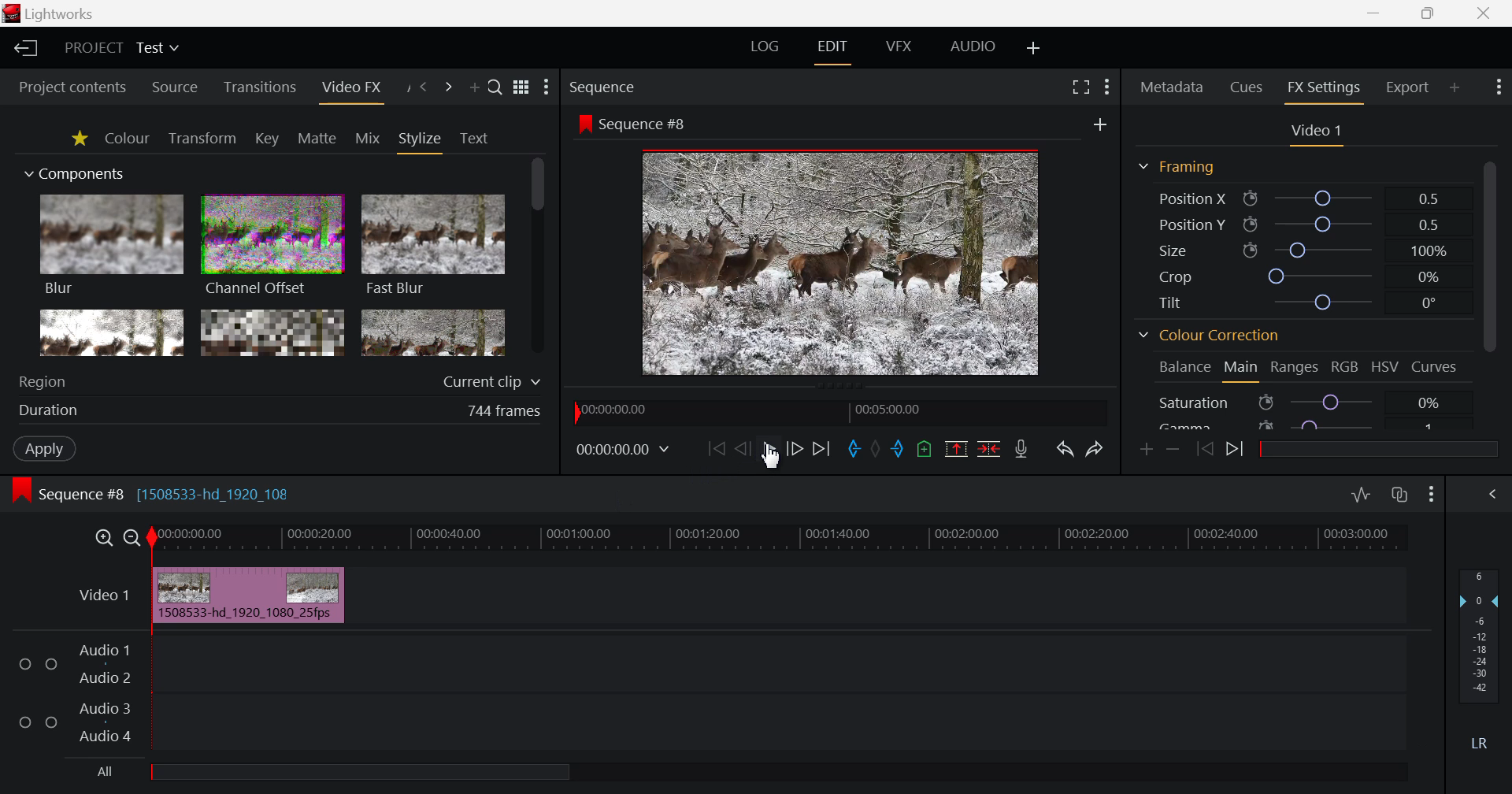 The height and width of the screenshot is (794, 1512). What do you see at coordinates (1323, 90) in the screenshot?
I see `FX Settings` at bounding box center [1323, 90].